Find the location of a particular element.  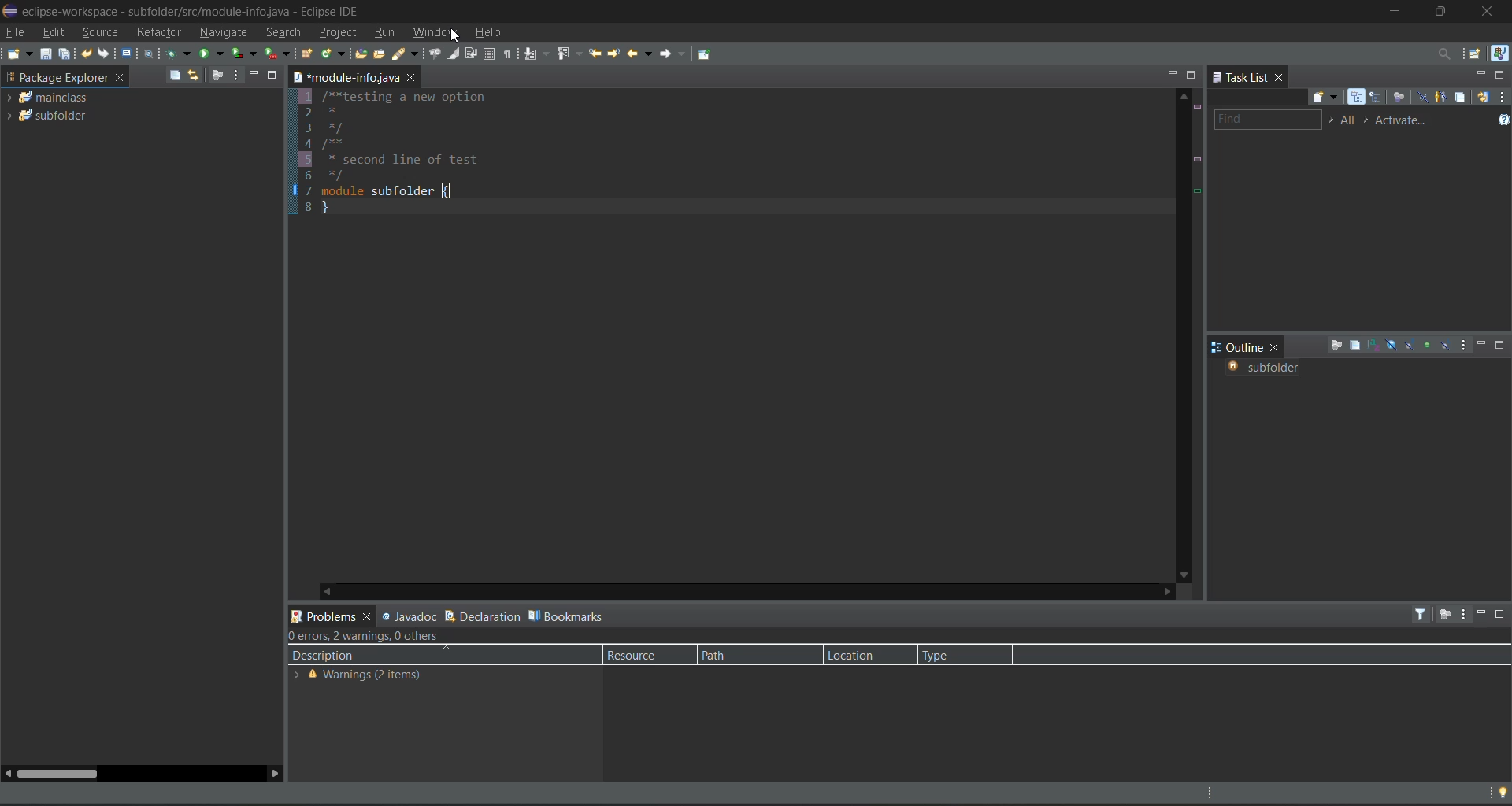

coverage is located at coordinates (246, 53).